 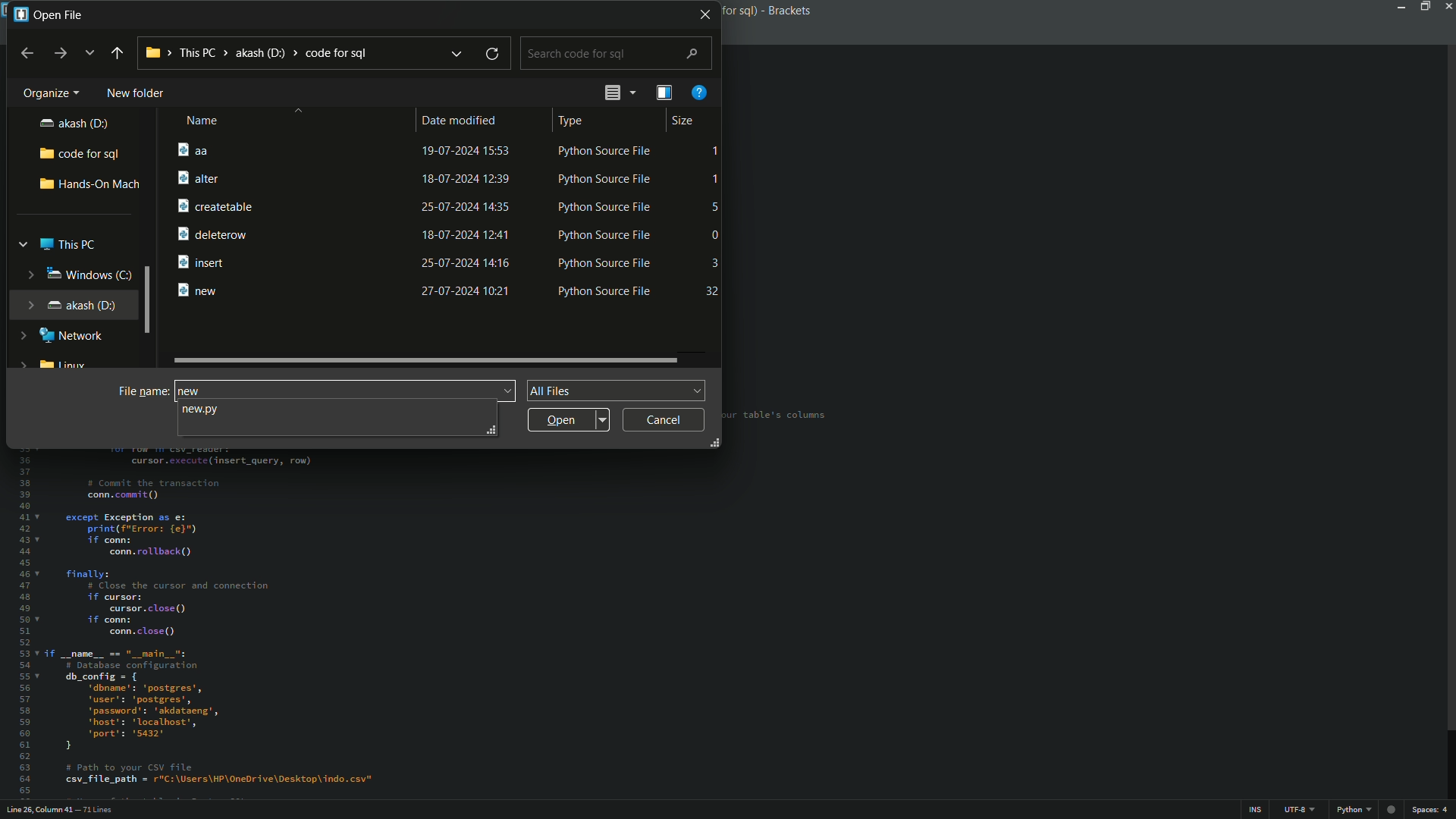 What do you see at coordinates (203, 410) in the screenshot?
I see `suggested file` at bounding box center [203, 410].